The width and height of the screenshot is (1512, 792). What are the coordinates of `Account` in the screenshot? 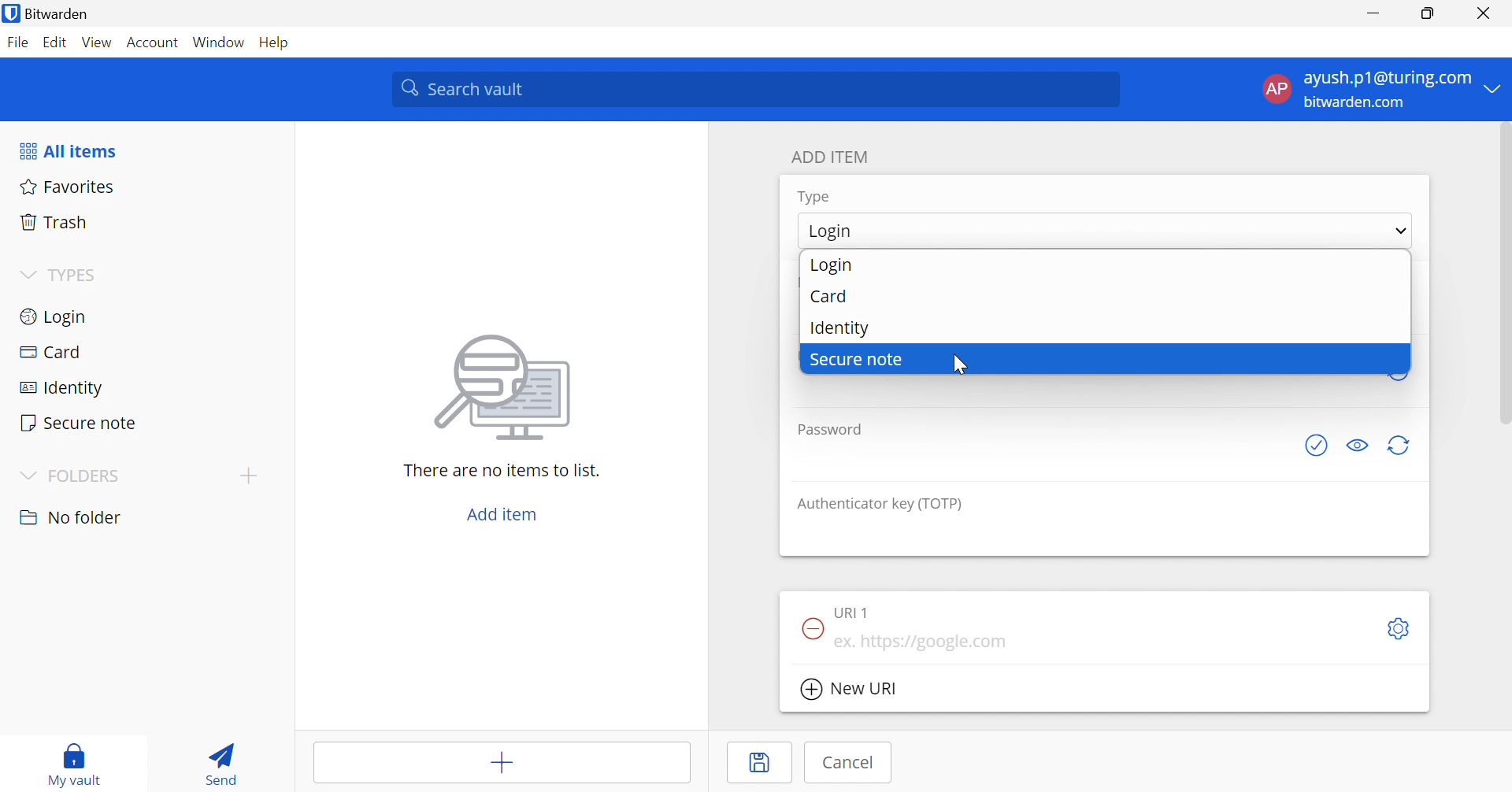 It's located at (154, 41).